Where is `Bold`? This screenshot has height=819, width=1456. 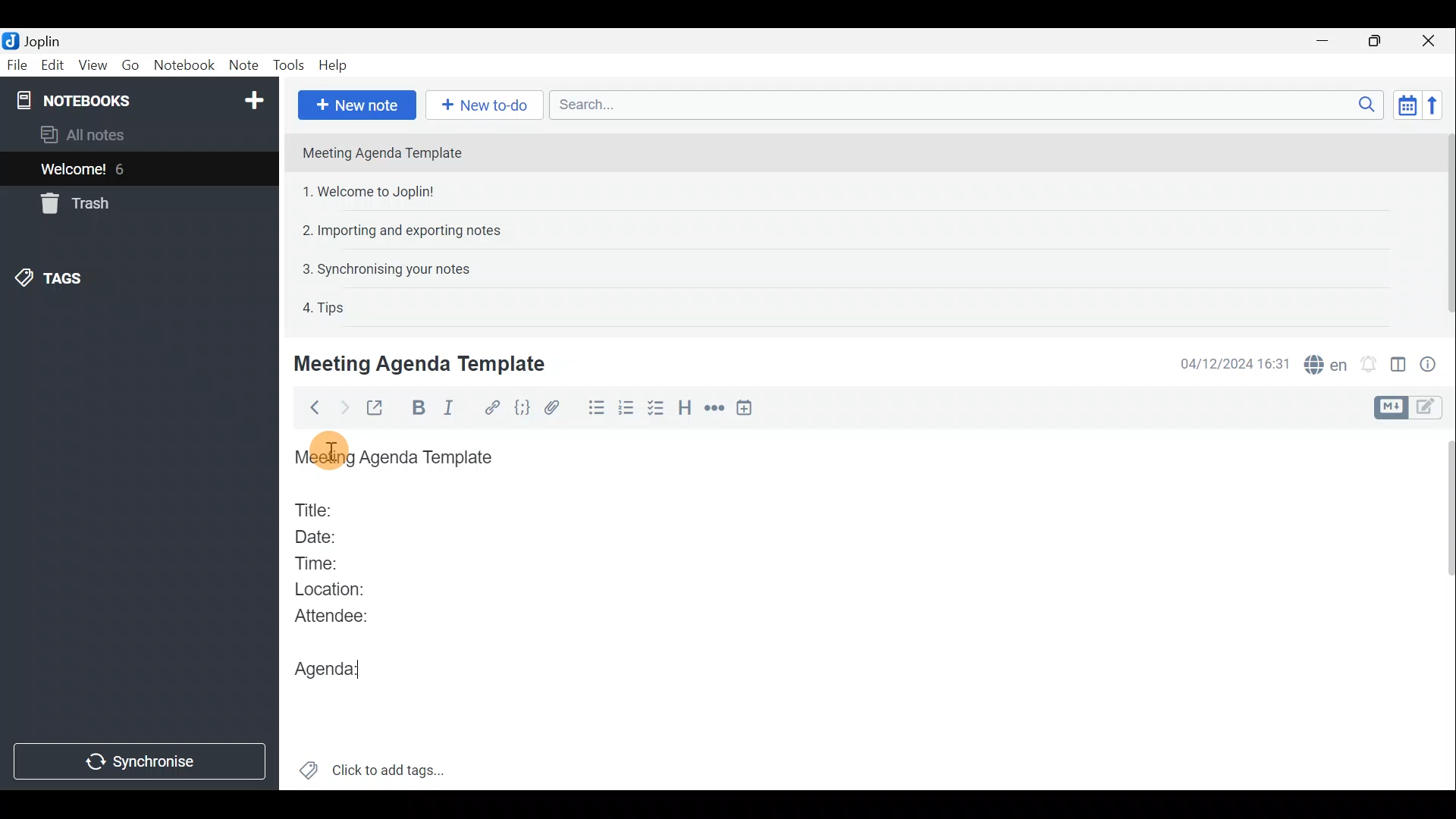 Bold is located at coordinates (419, 408).